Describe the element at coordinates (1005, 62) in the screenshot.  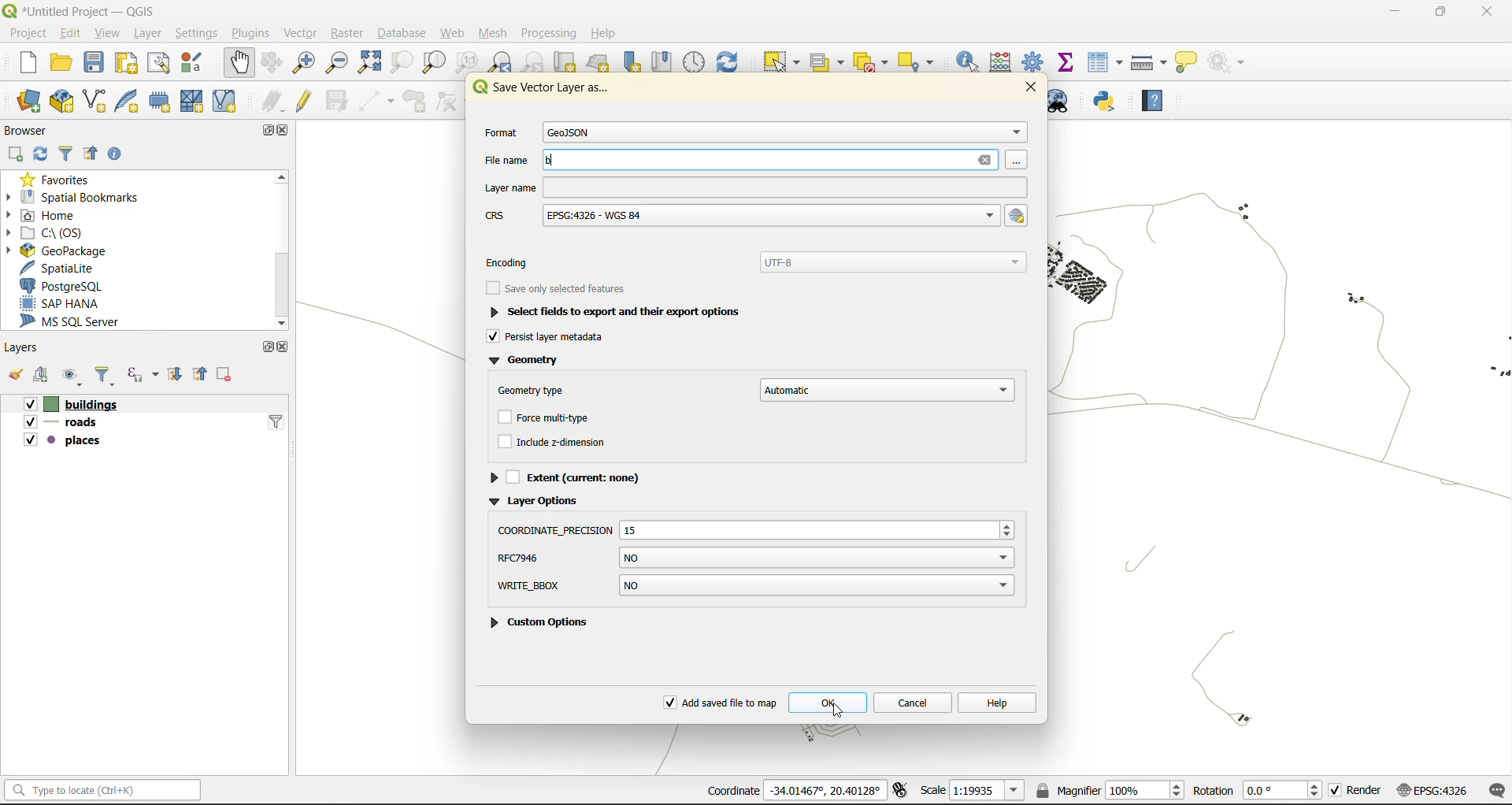
I see `calculator` at that location.